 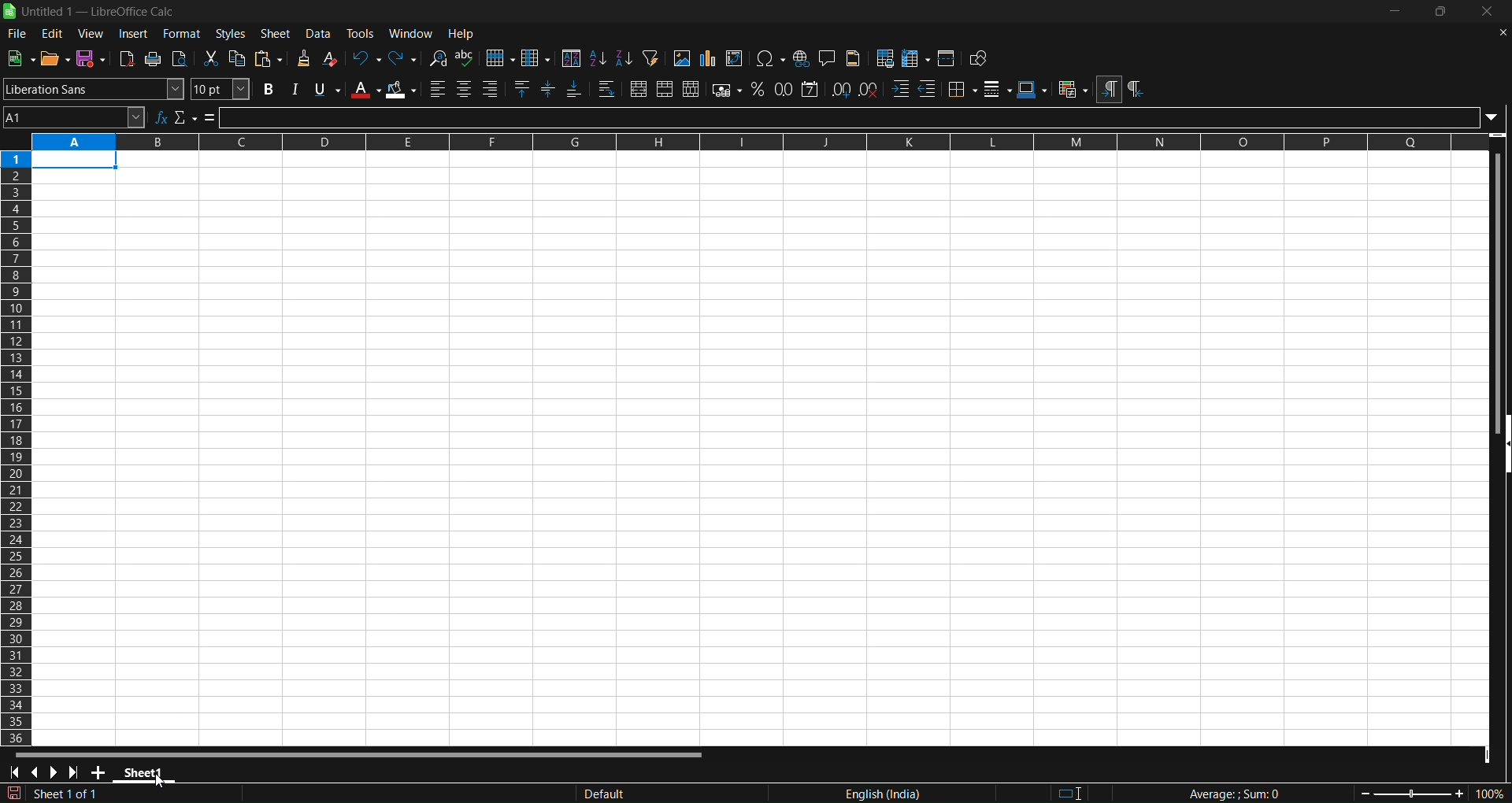 I want to click on row, so click(x=500, y=58).